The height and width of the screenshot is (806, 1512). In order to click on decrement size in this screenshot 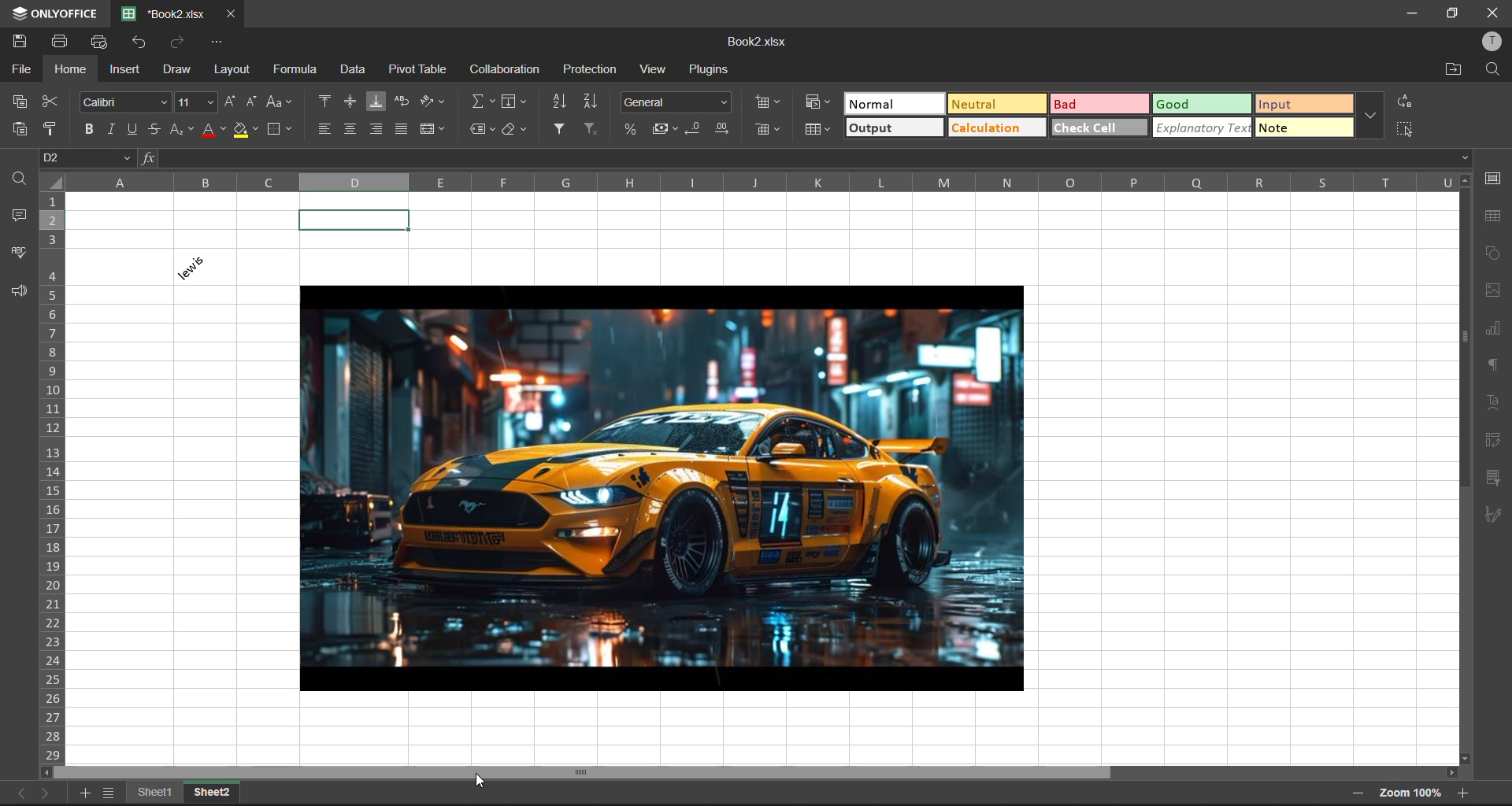, I will do `click(249, 102)`.